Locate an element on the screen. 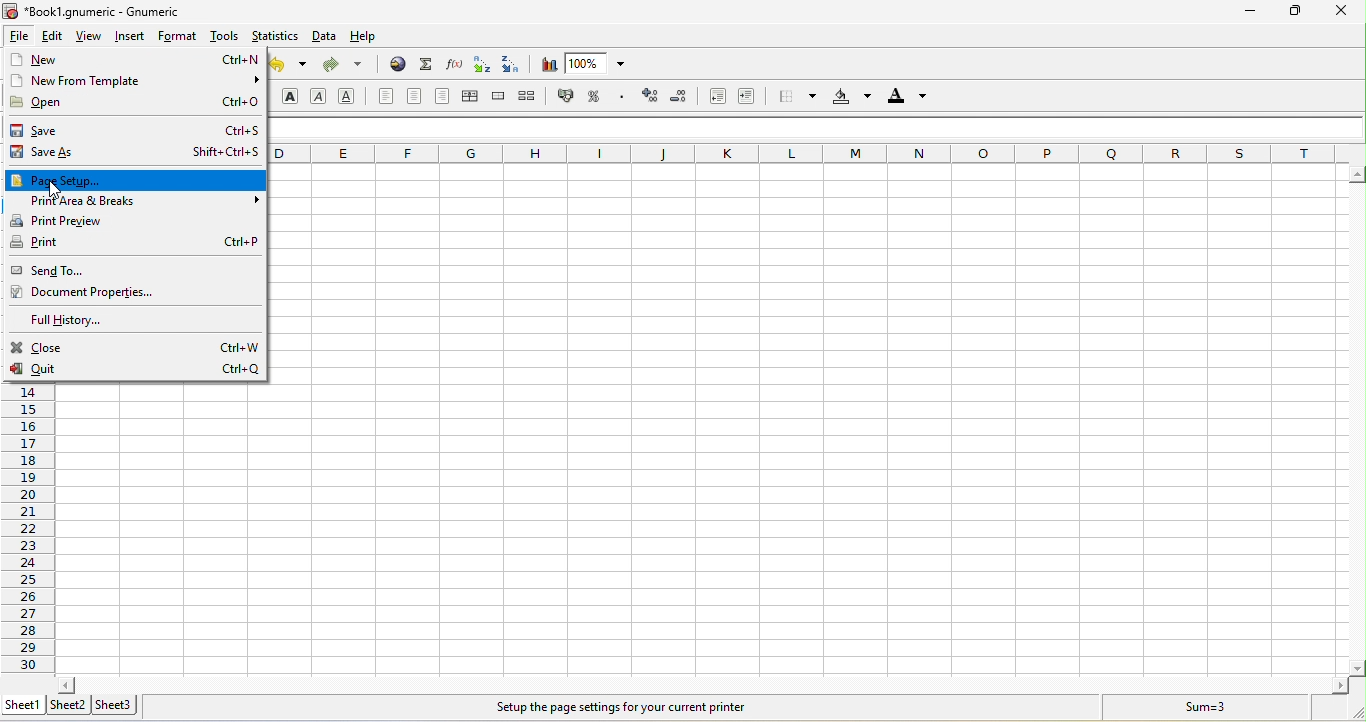  minimize is located at coordinates (1251, 12).